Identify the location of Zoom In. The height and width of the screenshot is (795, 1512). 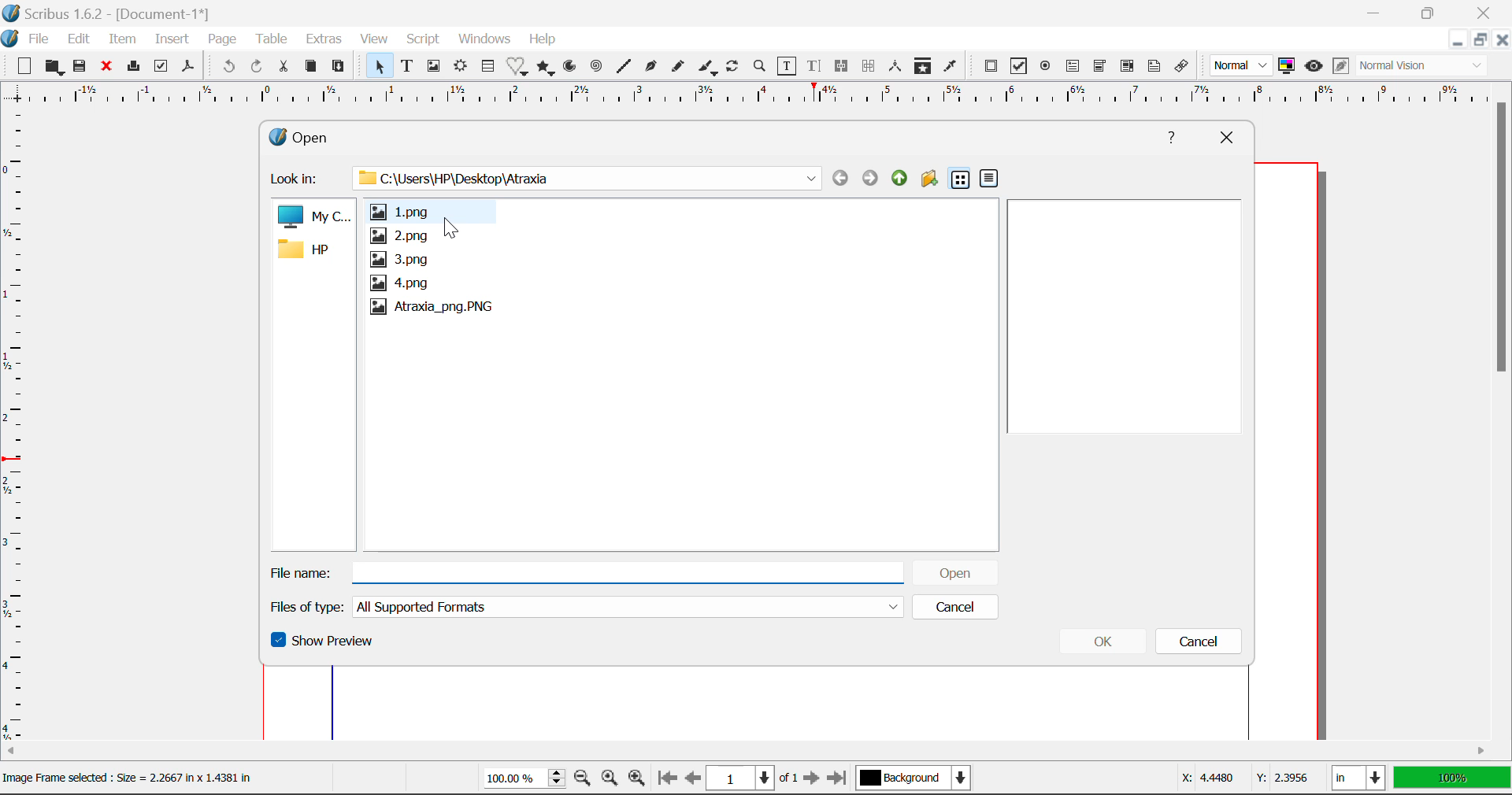
(637, 779).